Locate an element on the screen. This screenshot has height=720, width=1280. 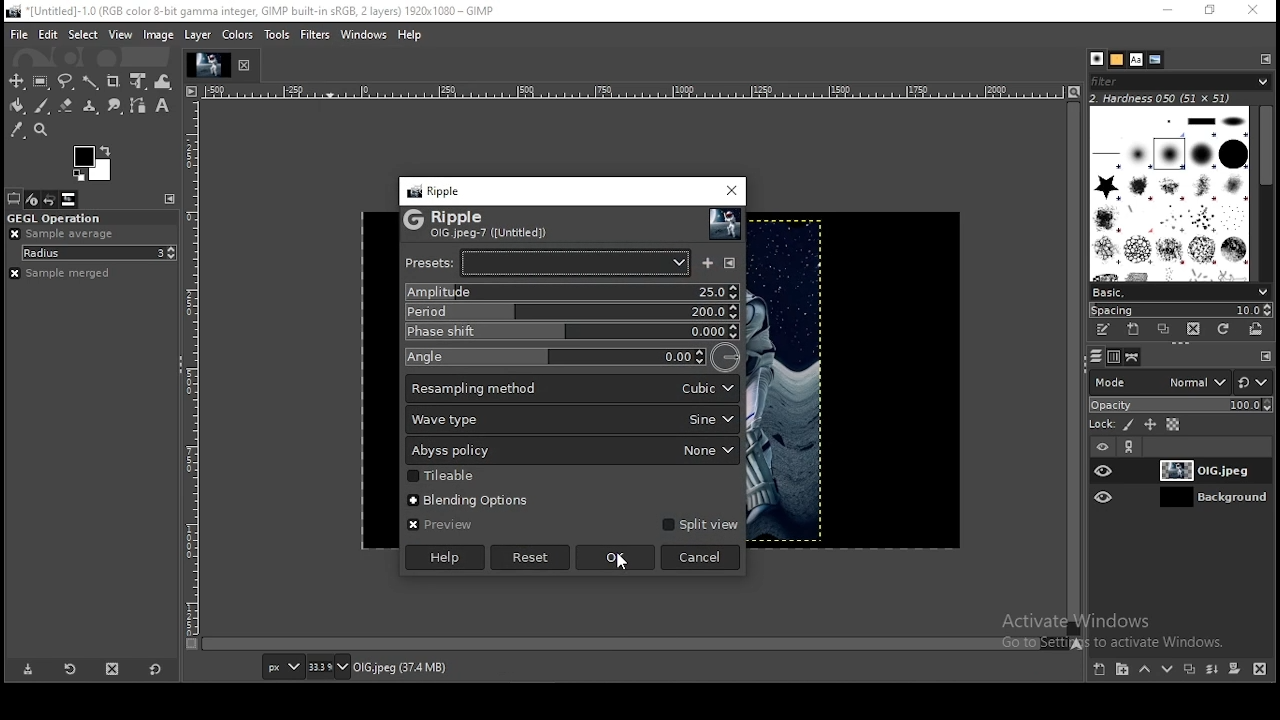
OK is located at coordinates (615, 558).